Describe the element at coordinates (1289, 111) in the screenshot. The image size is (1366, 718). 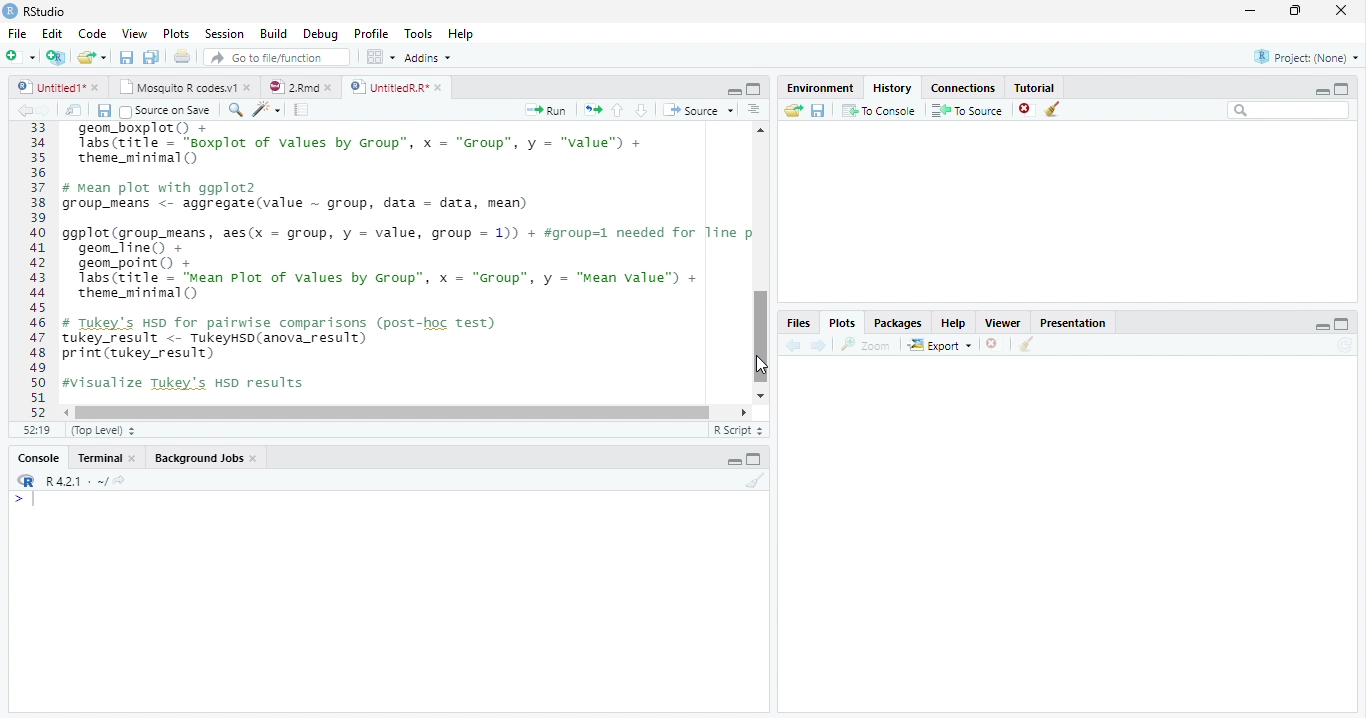
I see `Search` at that location.